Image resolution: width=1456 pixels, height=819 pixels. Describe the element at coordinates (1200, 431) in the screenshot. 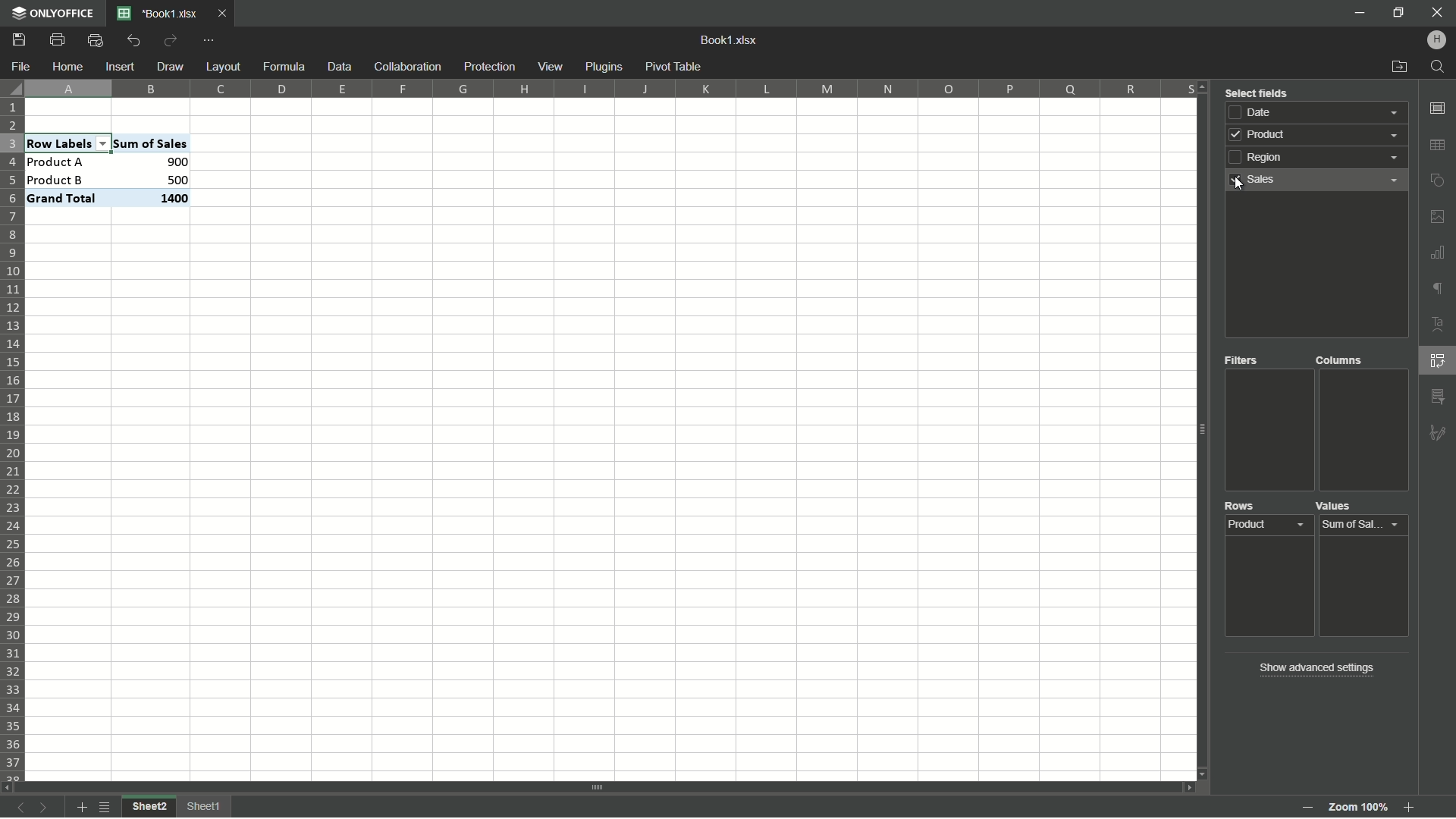

I see `scroll bar` at that location.